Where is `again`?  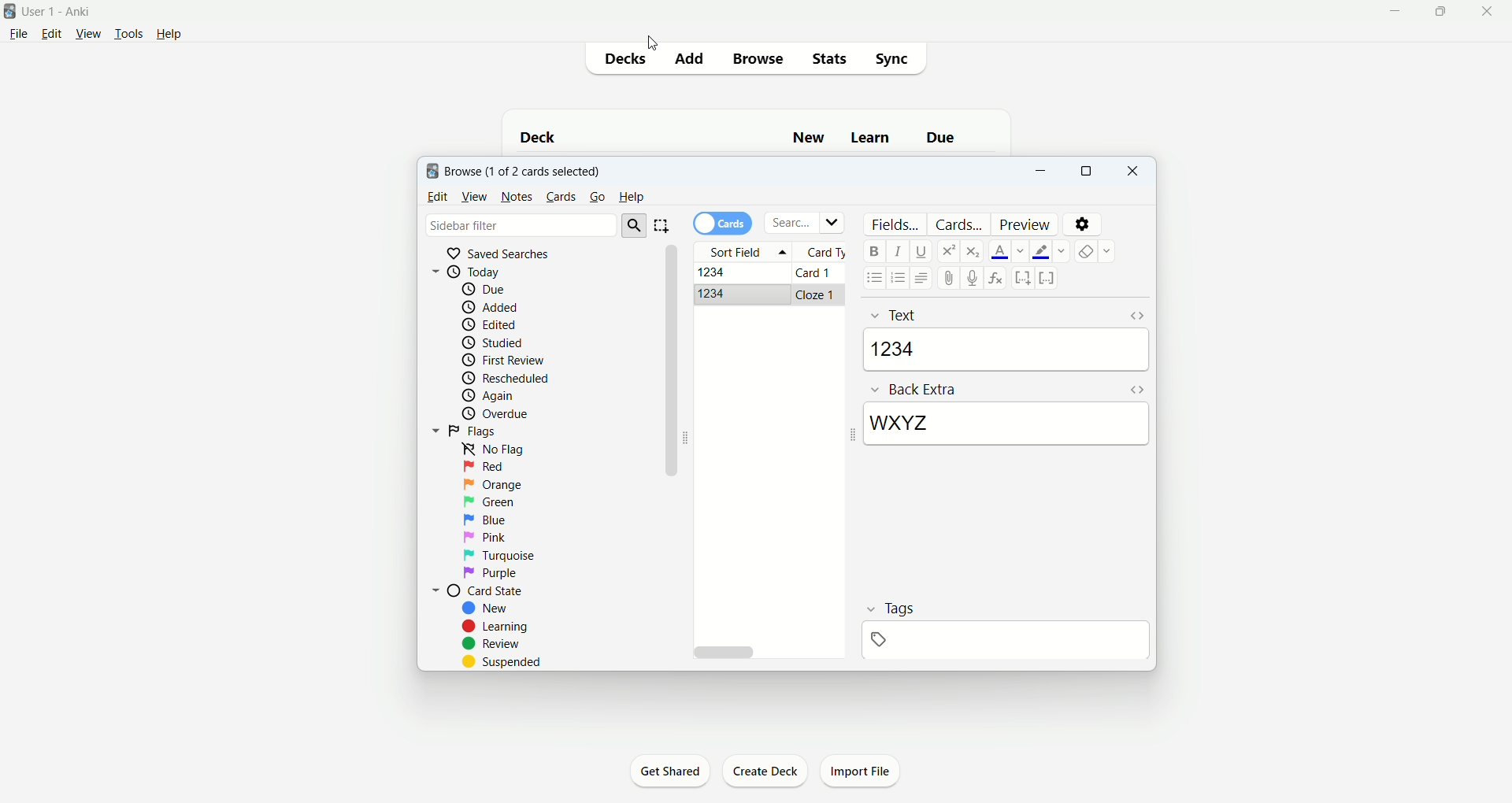
again is located at coordinates (487, 395).